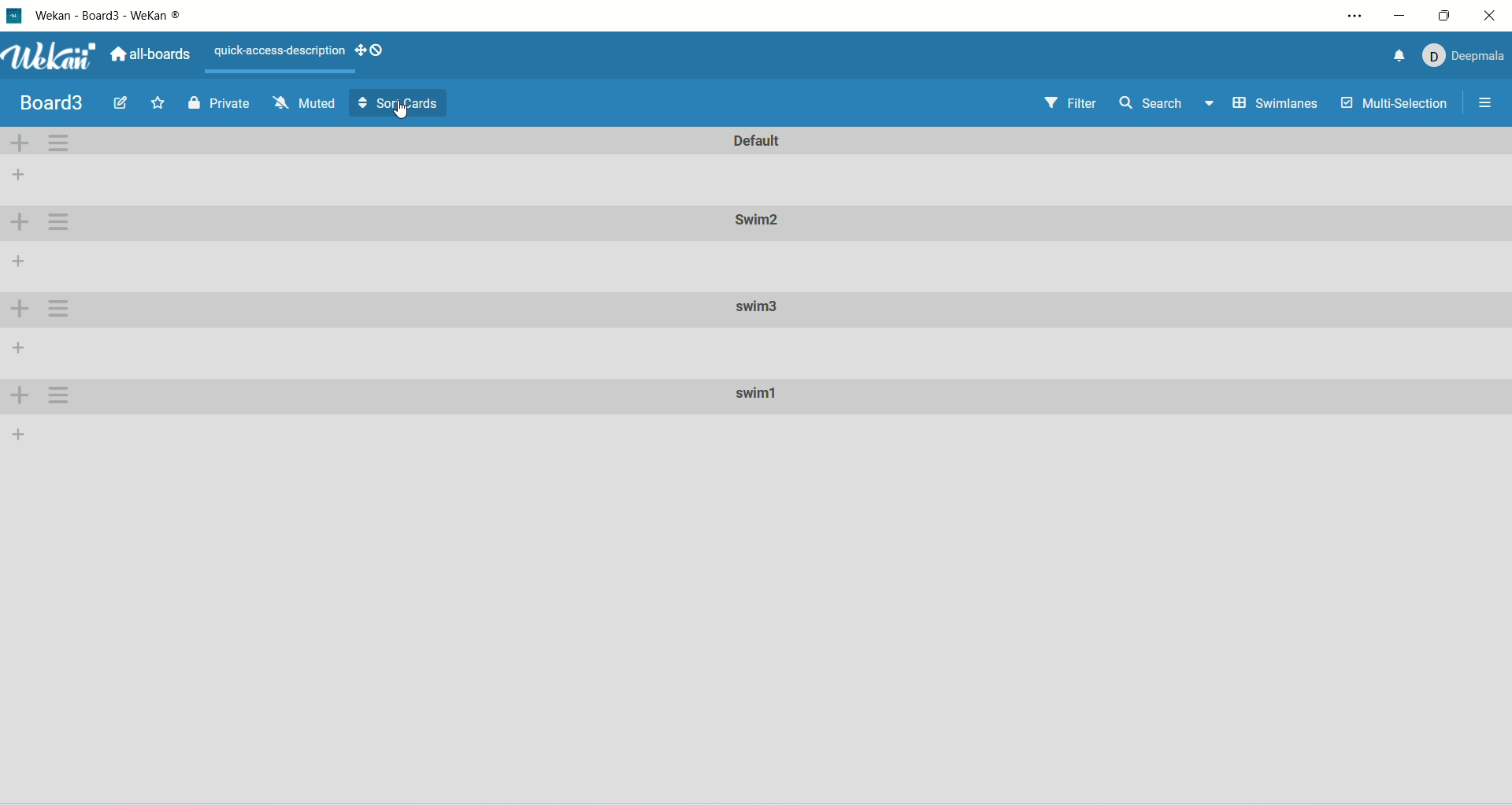  Describe the element at coordinates (20, 394) in the screenshot. I see `add swimlane` at that location.